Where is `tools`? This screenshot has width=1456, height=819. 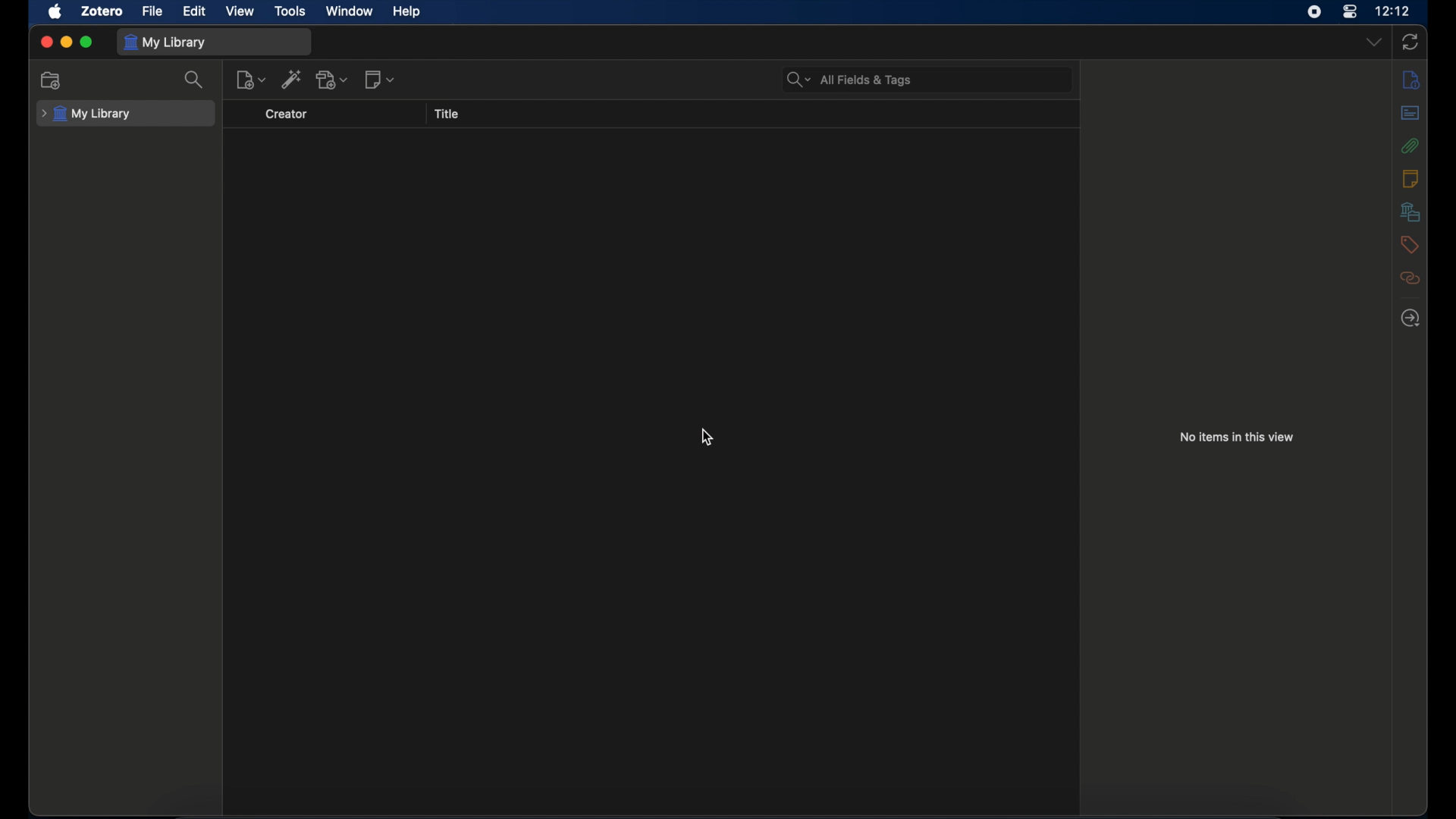 tools is located at coordinates (290, 12).